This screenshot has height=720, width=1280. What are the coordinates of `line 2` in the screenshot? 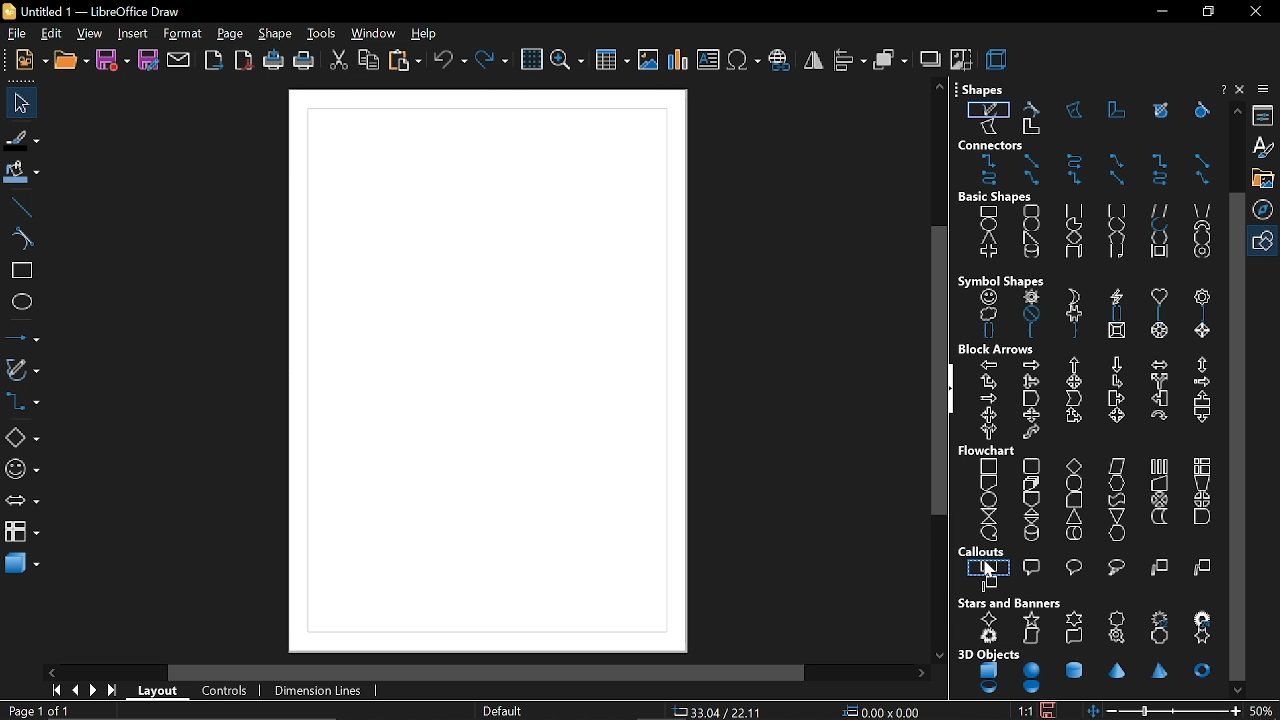 It's located at (1203, 569).